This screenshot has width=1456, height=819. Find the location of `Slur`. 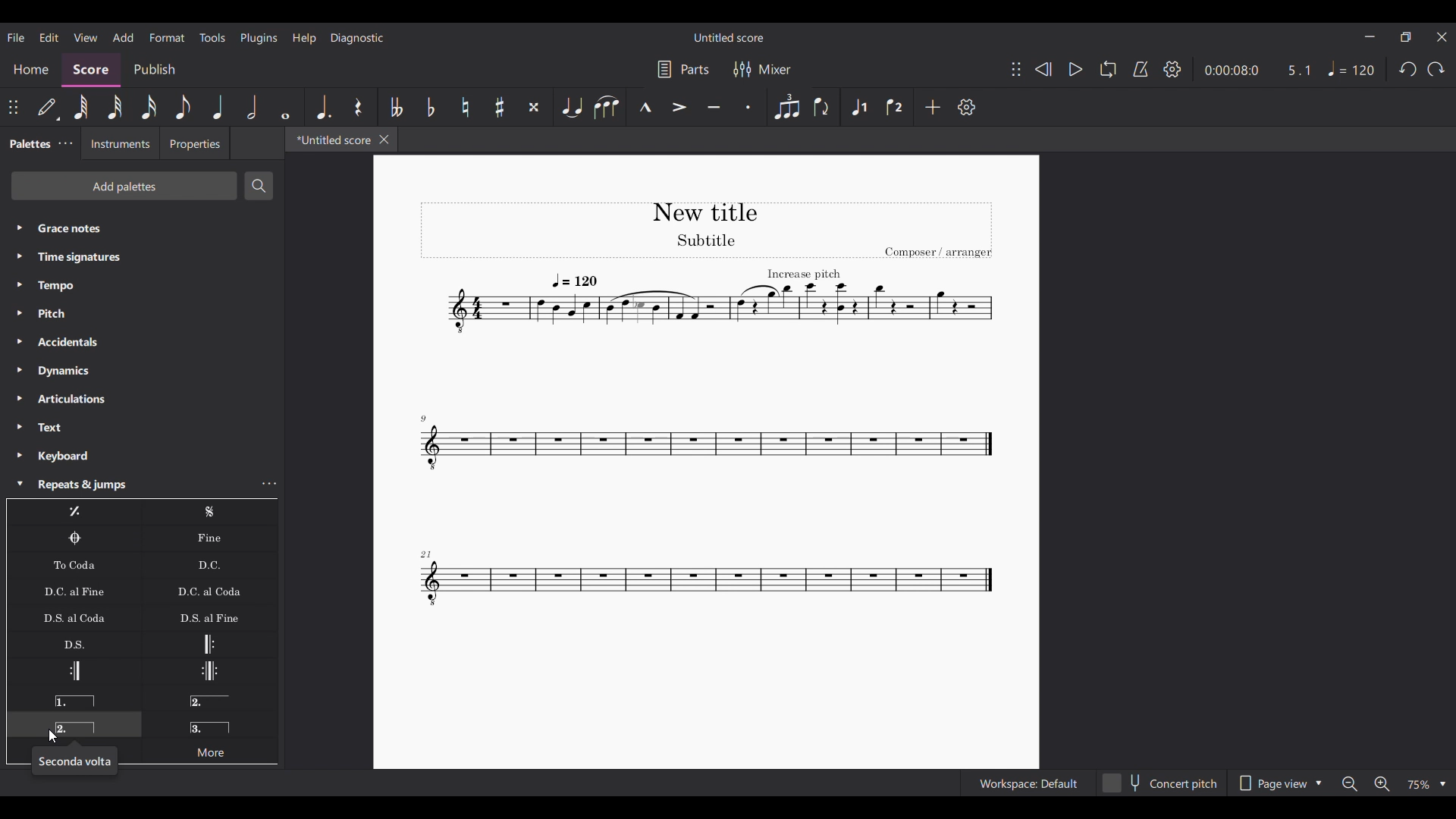

Slur is located at coordinates (607, 107).